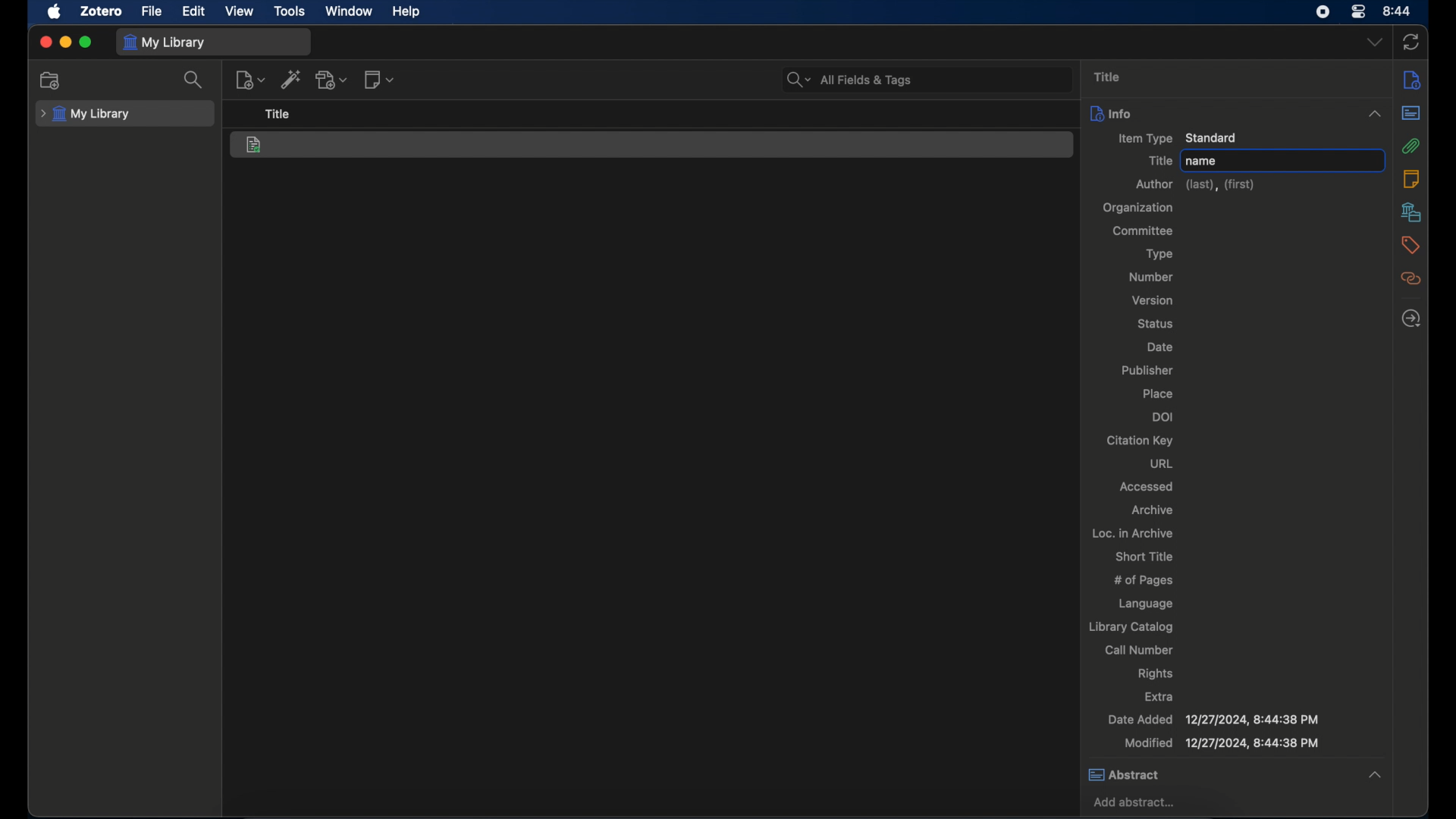  I want to click on new note, so click(381, 80).